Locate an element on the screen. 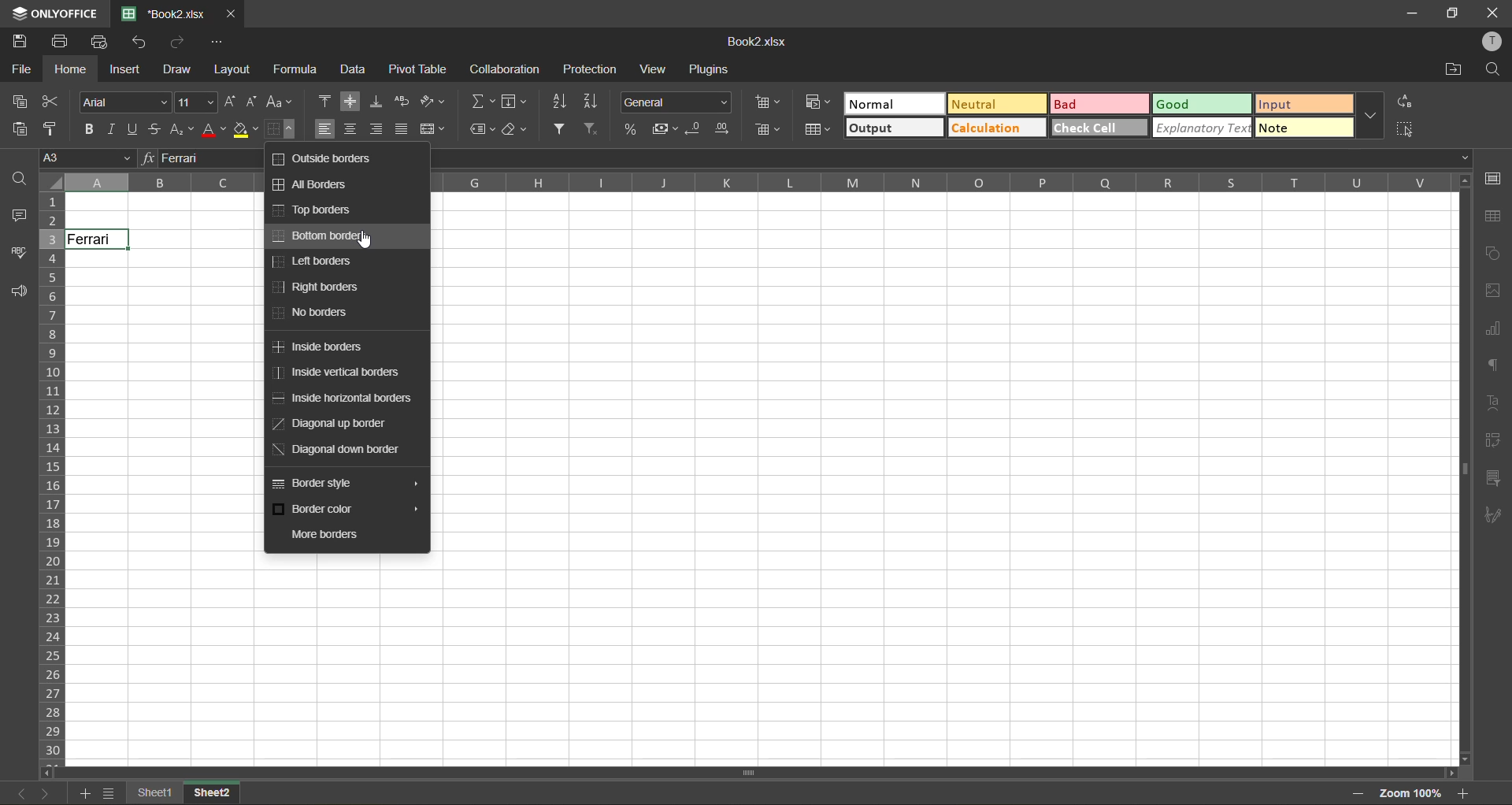 The image size is (1512, 805). fields is located at coordinates (519, 101).